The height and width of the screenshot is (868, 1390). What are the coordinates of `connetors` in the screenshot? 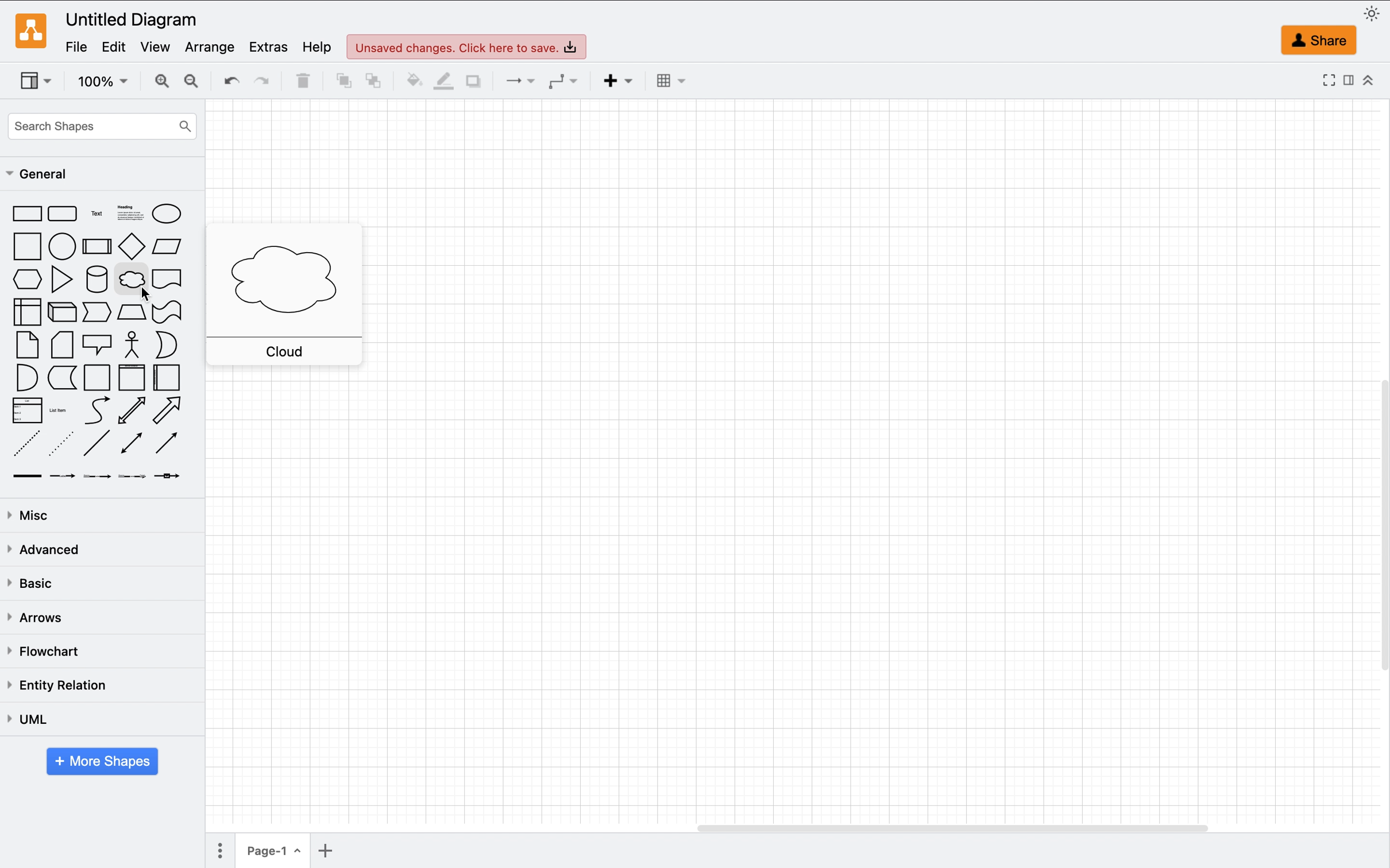 It's located at (515, 82).